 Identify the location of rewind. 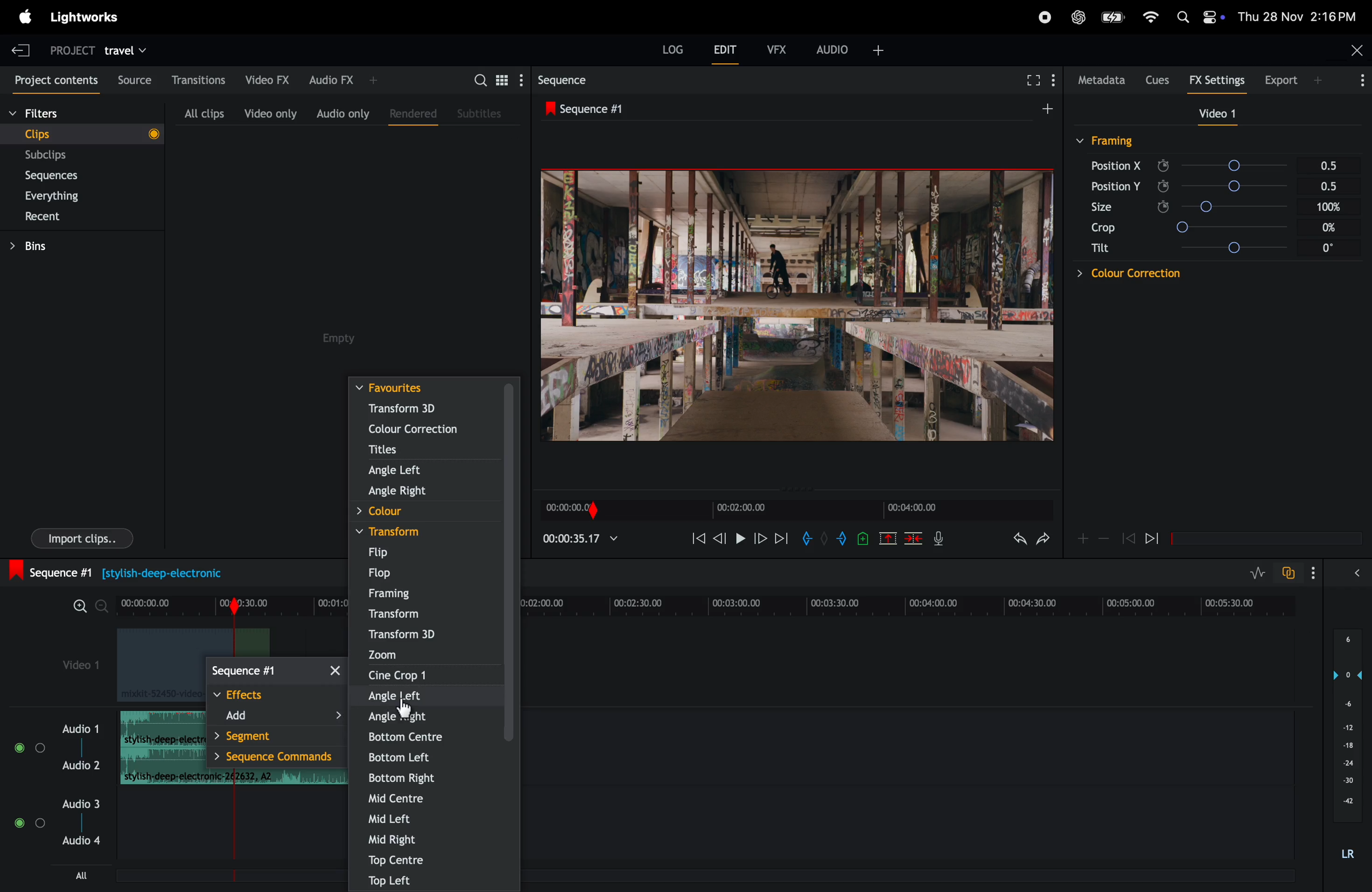
(694, 539).